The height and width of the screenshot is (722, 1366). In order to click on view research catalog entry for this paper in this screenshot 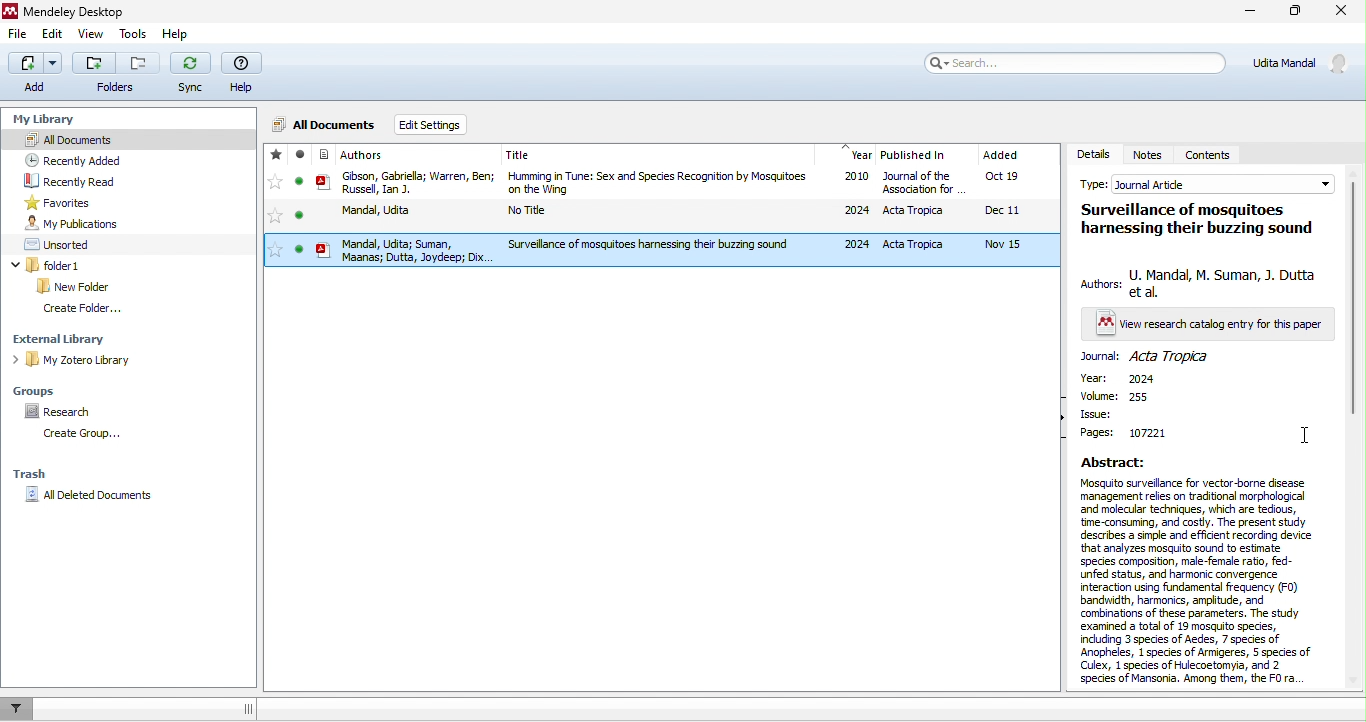, I will do `click(1209, 326)`.